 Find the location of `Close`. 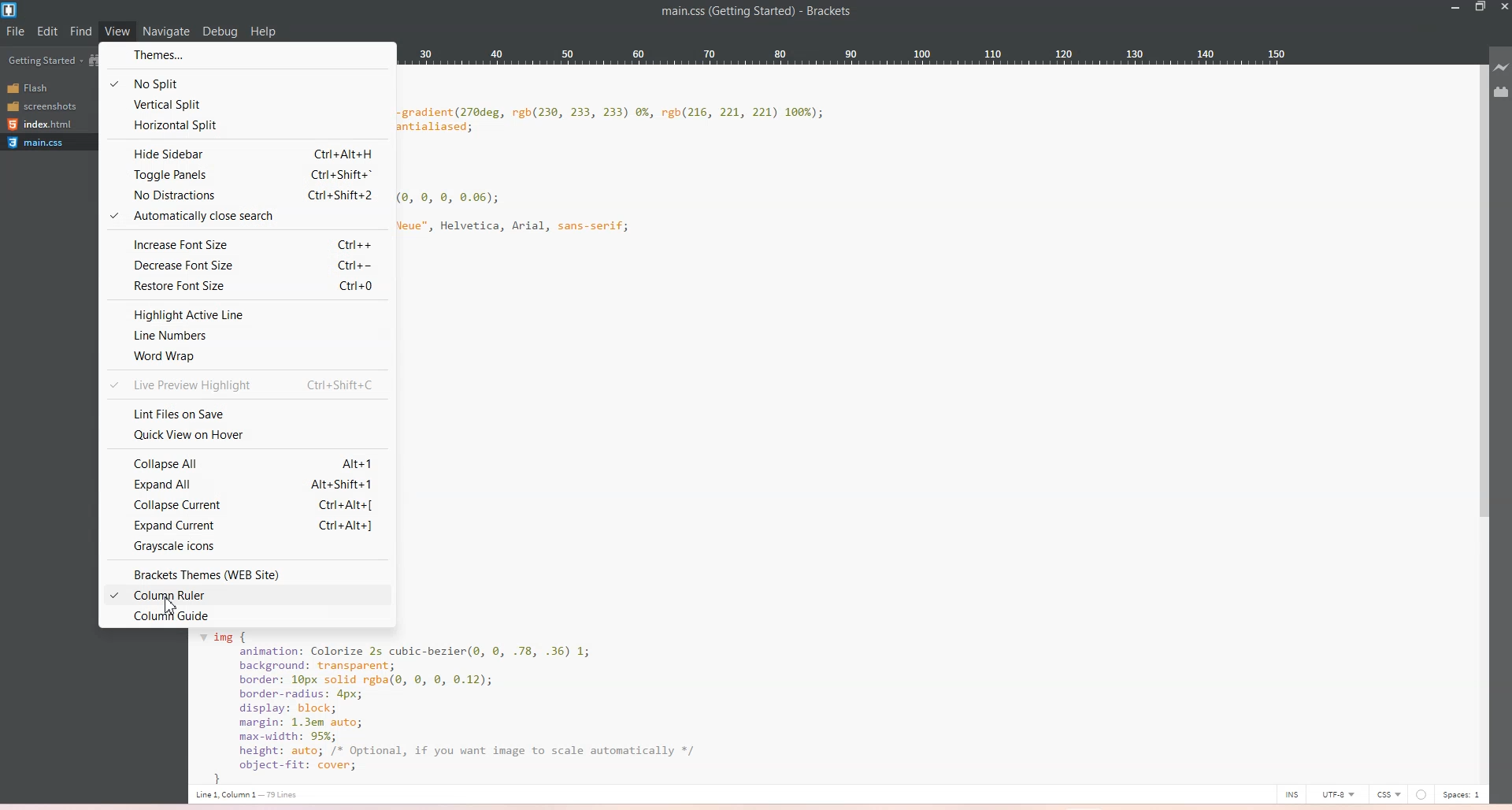

Close is located at coordinates (1503, 8).